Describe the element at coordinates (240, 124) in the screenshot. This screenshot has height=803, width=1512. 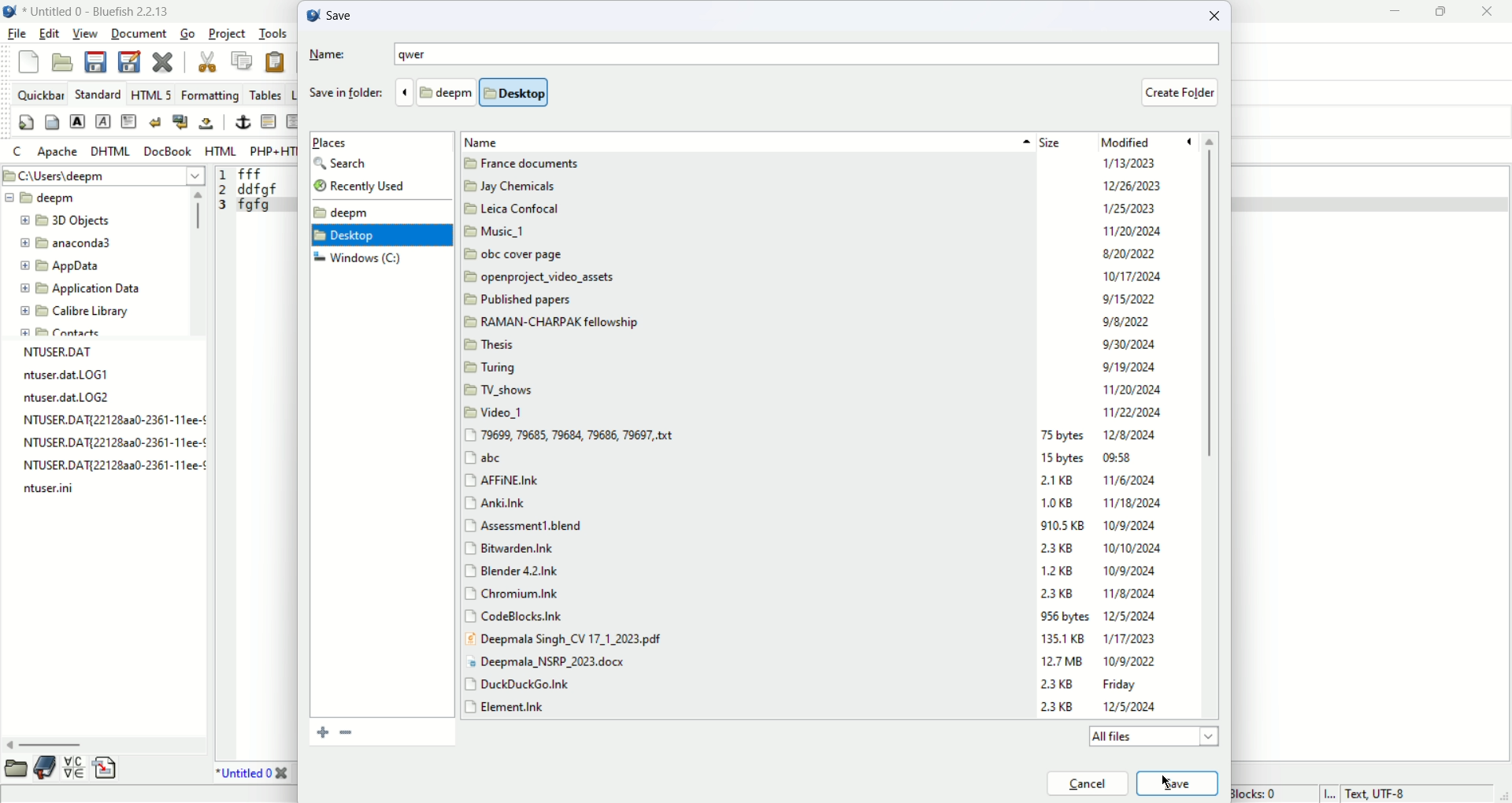
I see `anchor` at that location.